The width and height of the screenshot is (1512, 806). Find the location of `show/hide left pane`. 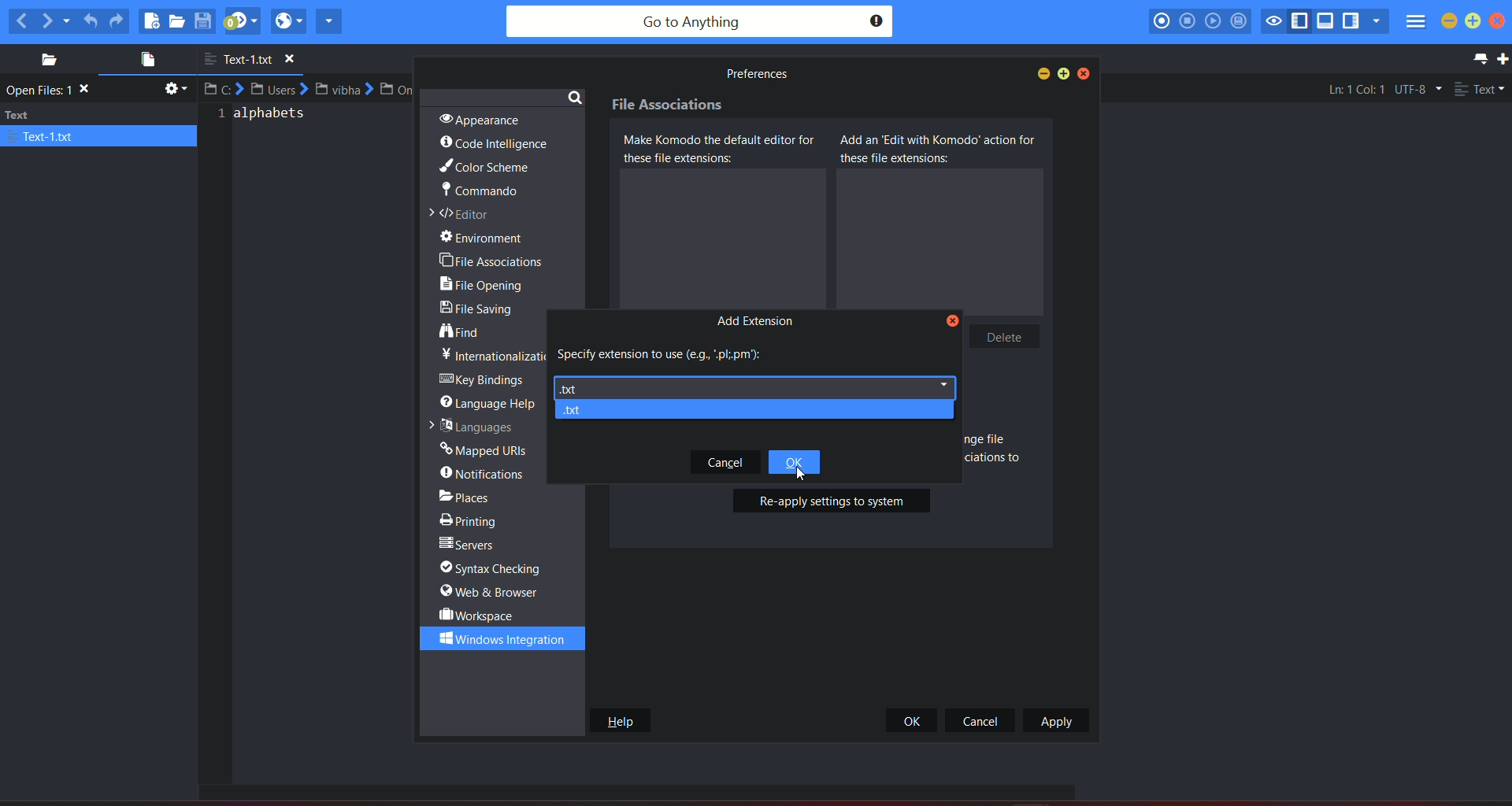

show/hide left pane is located at coordinates (1303, 21).